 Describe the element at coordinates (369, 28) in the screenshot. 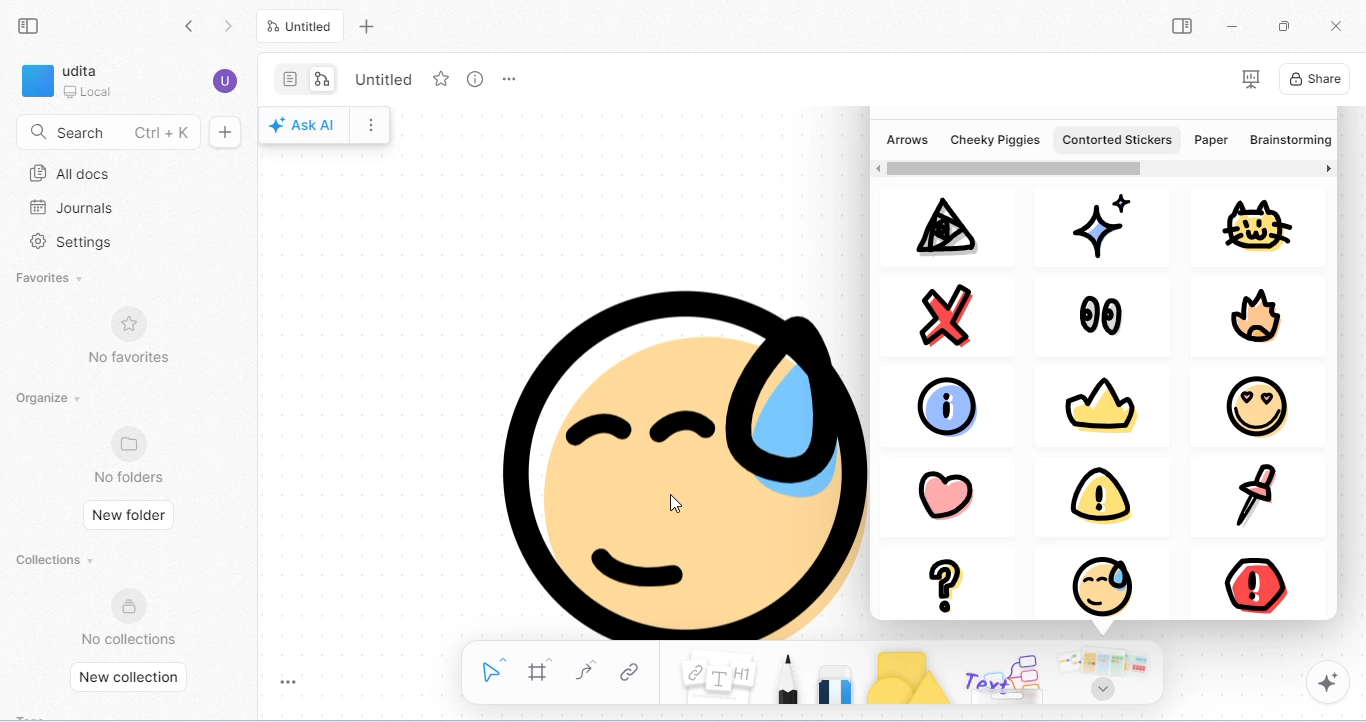

I see `new tab` at that location.